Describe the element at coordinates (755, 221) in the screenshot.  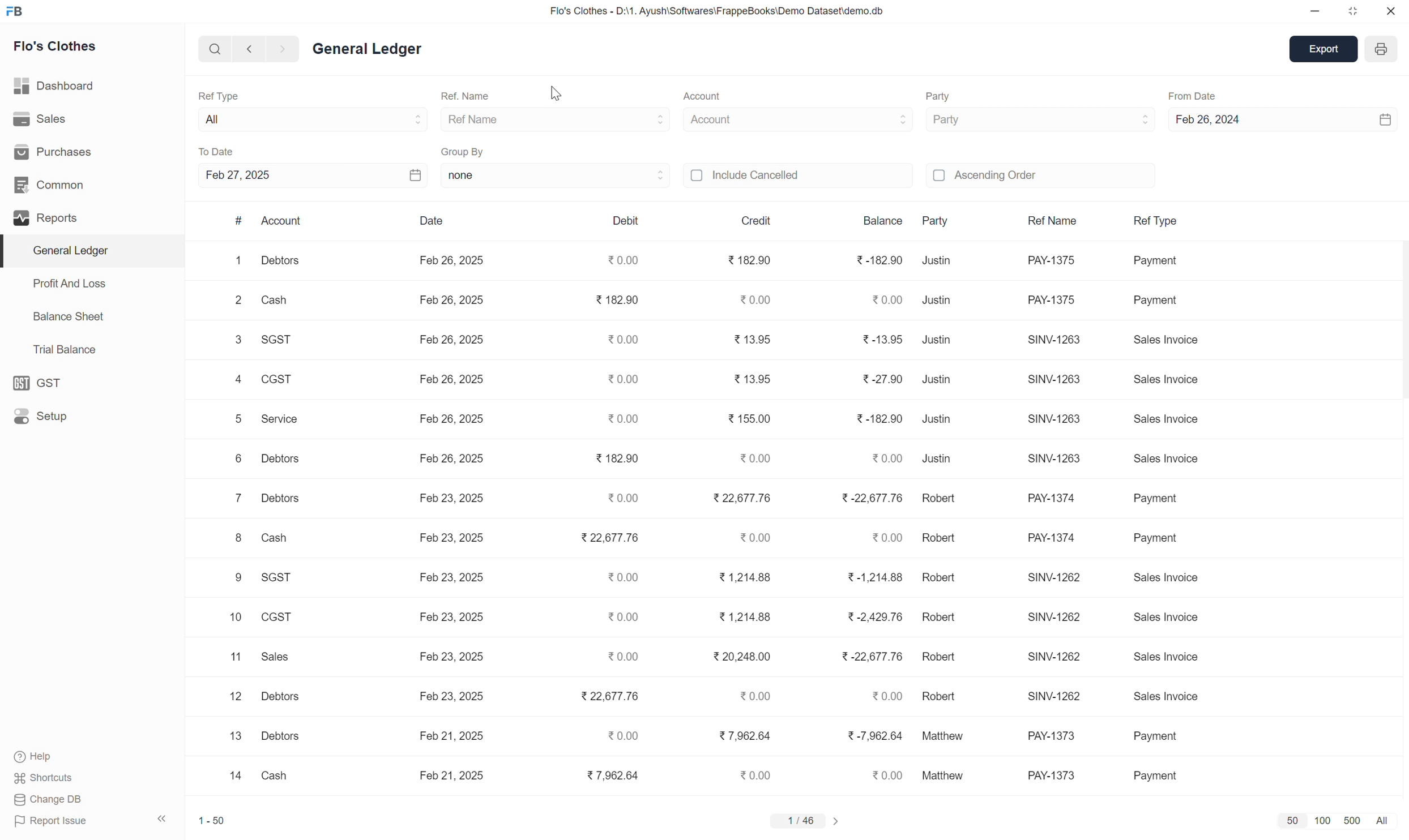
I see `credit` at that location.